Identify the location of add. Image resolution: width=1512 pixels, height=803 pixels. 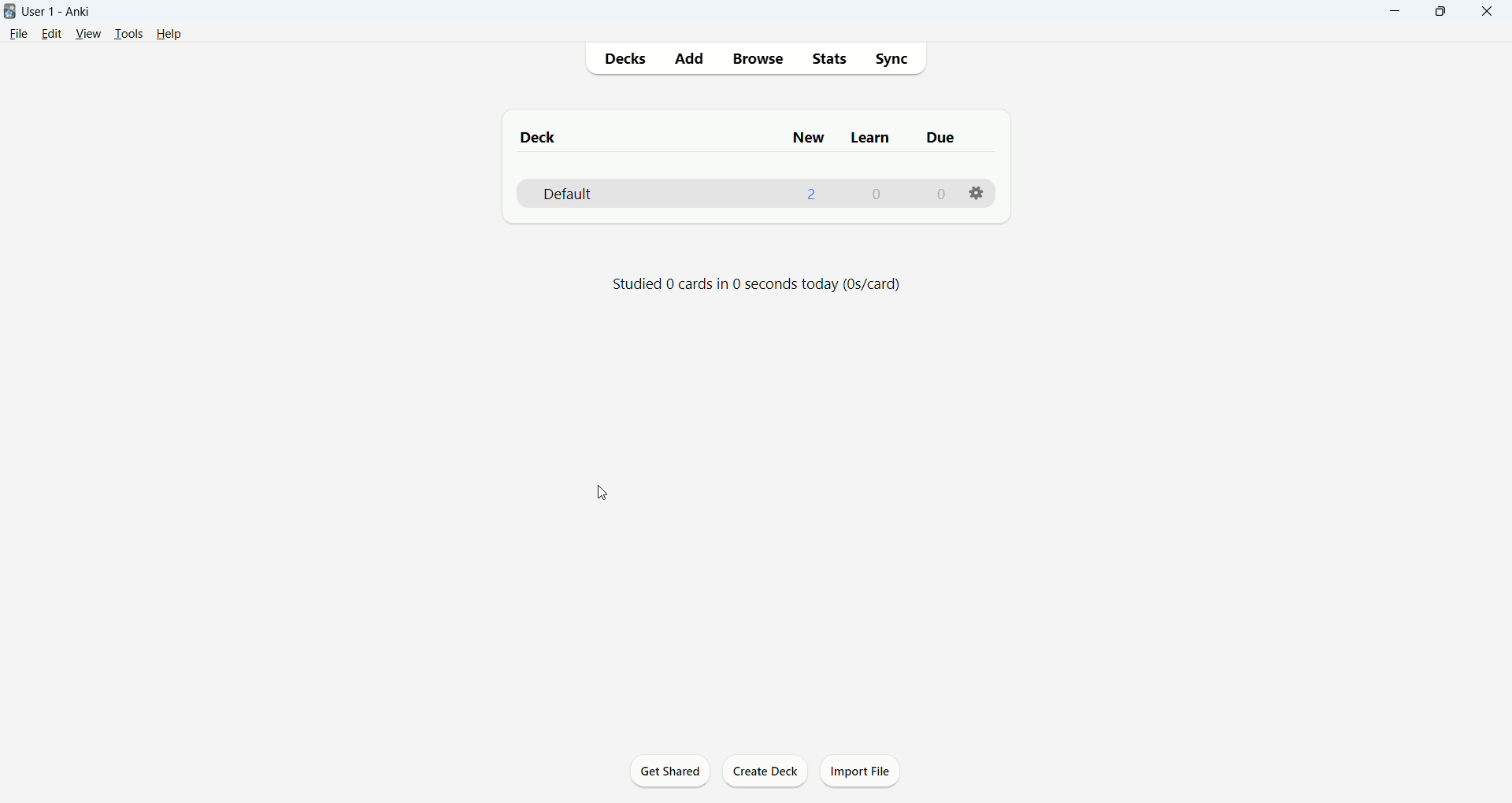
(691, 60).